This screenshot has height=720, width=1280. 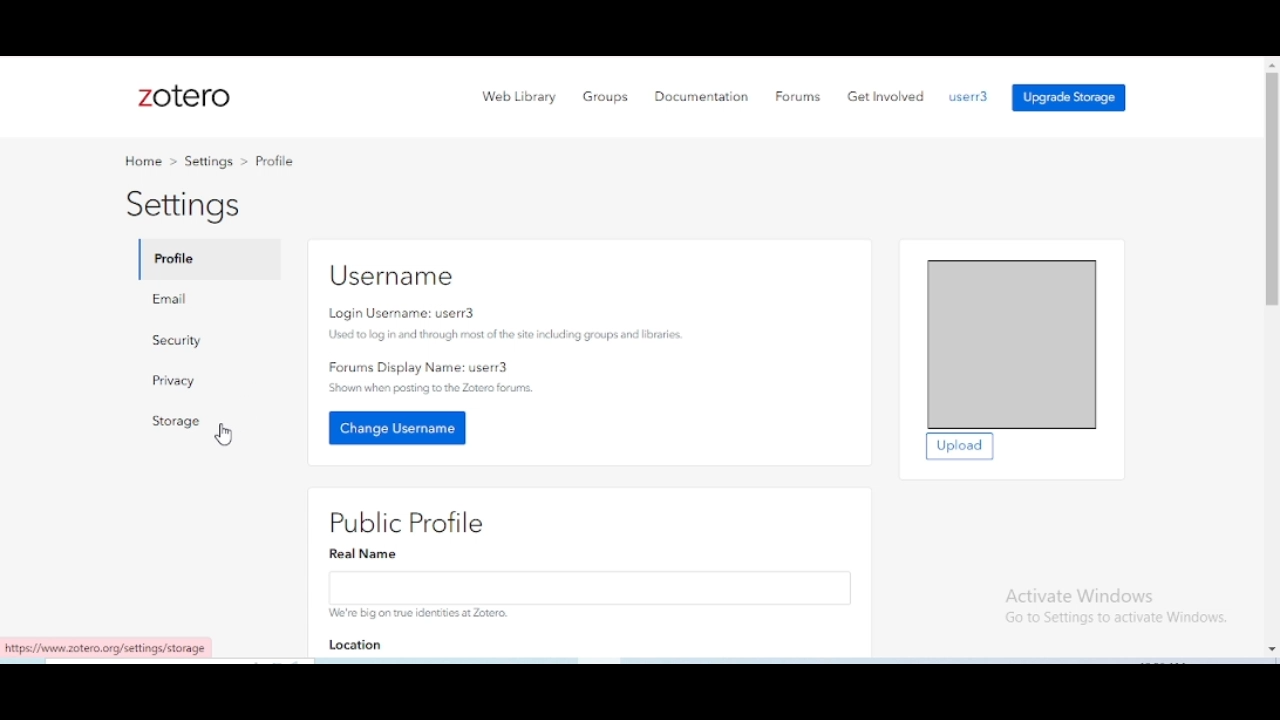 I want to click on change username, so click(x=397, y=427).